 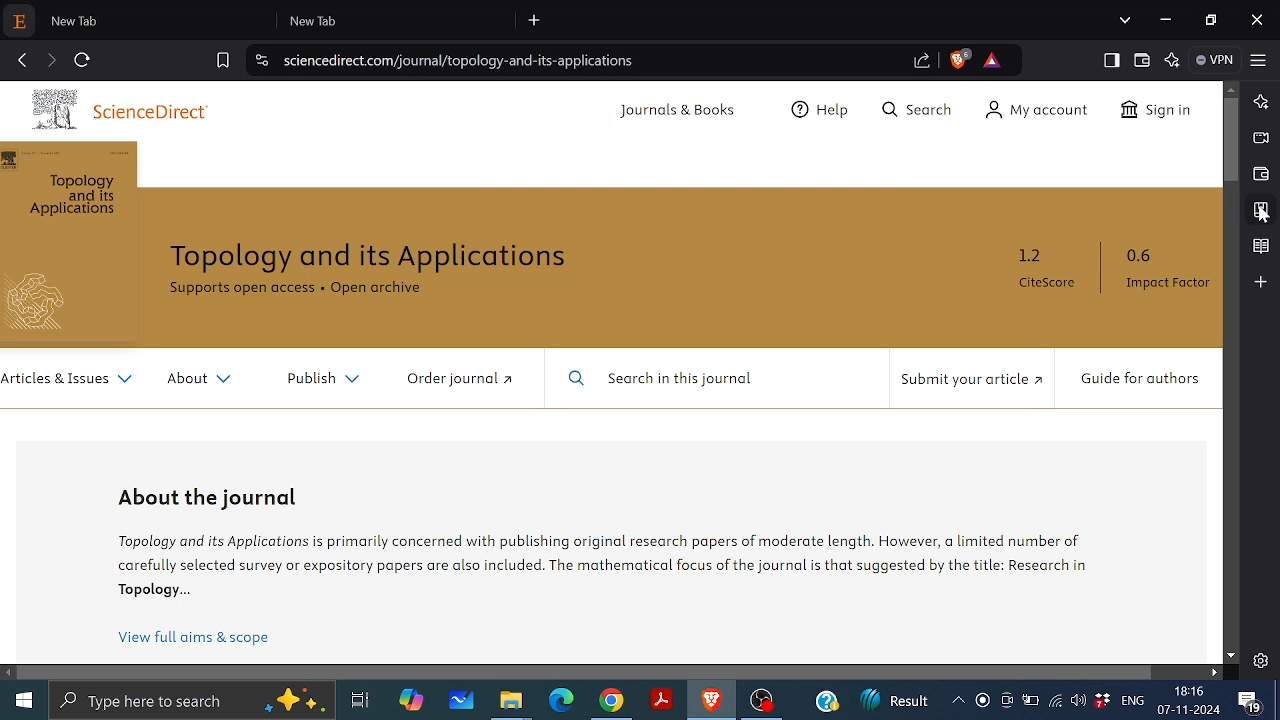 I want to click on Order journal, so click(x=461, y=380).